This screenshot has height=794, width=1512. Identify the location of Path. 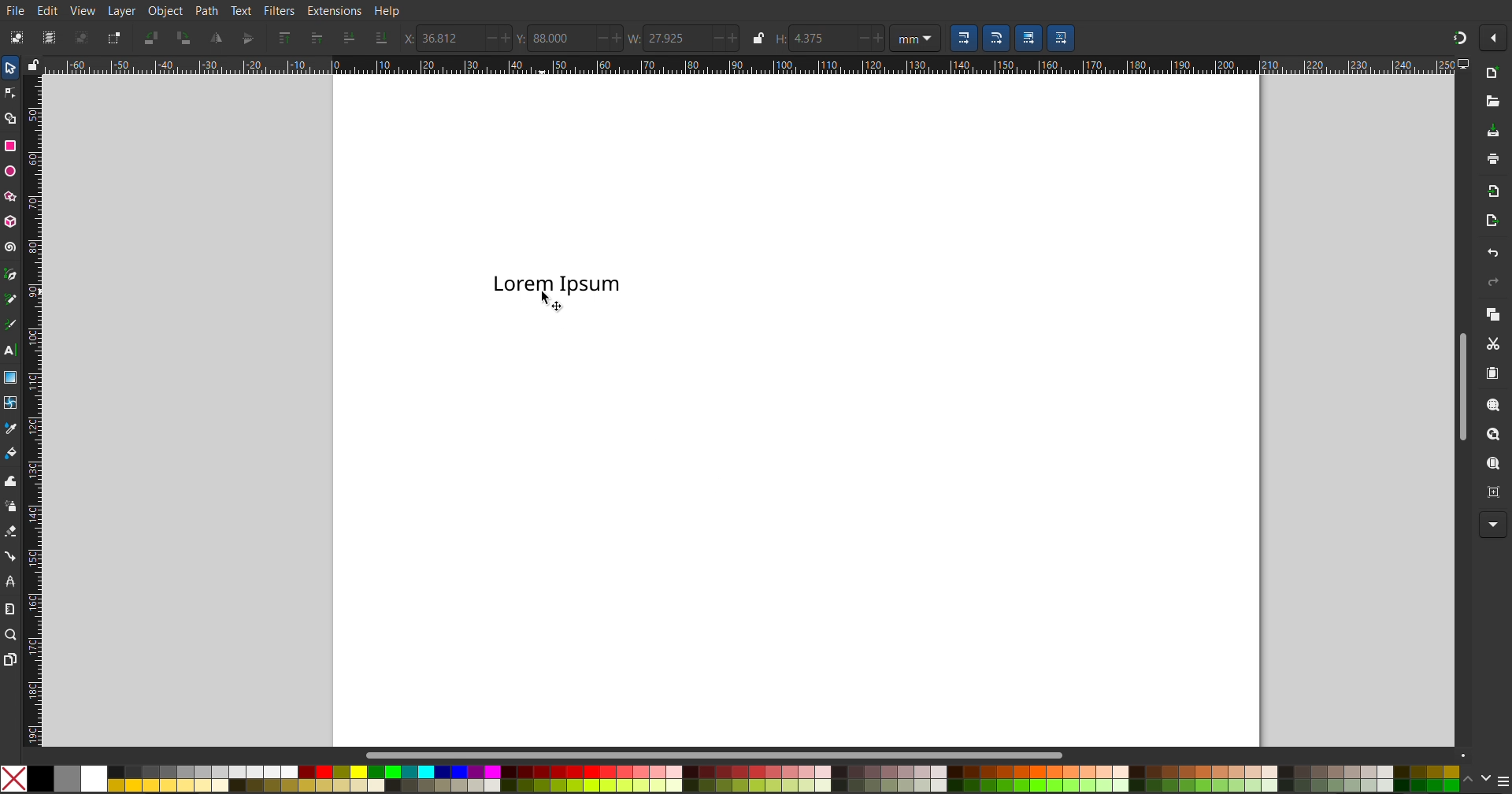
(207, 9).